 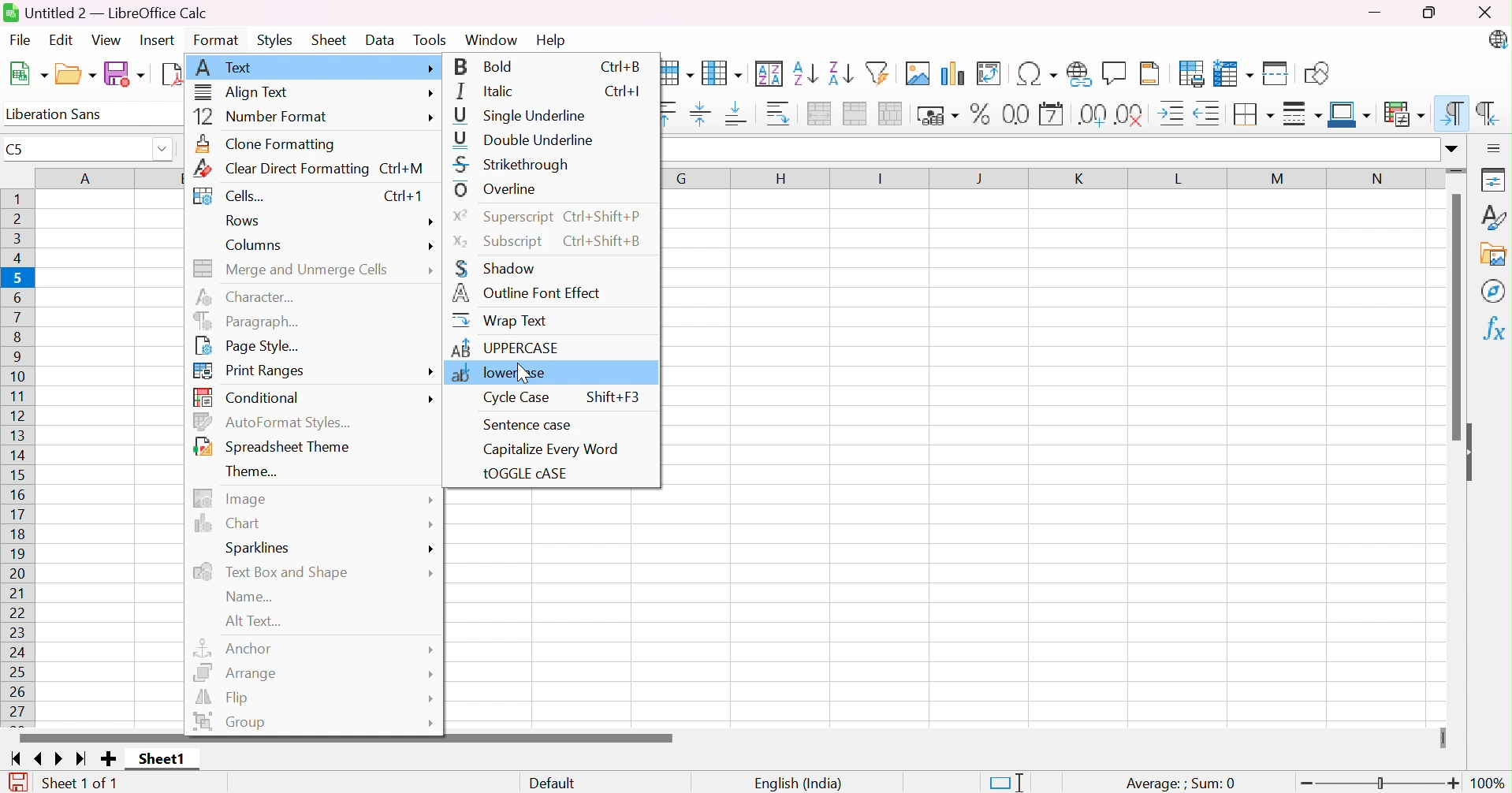 I want to click on Sort, so click(x=771, y=72).